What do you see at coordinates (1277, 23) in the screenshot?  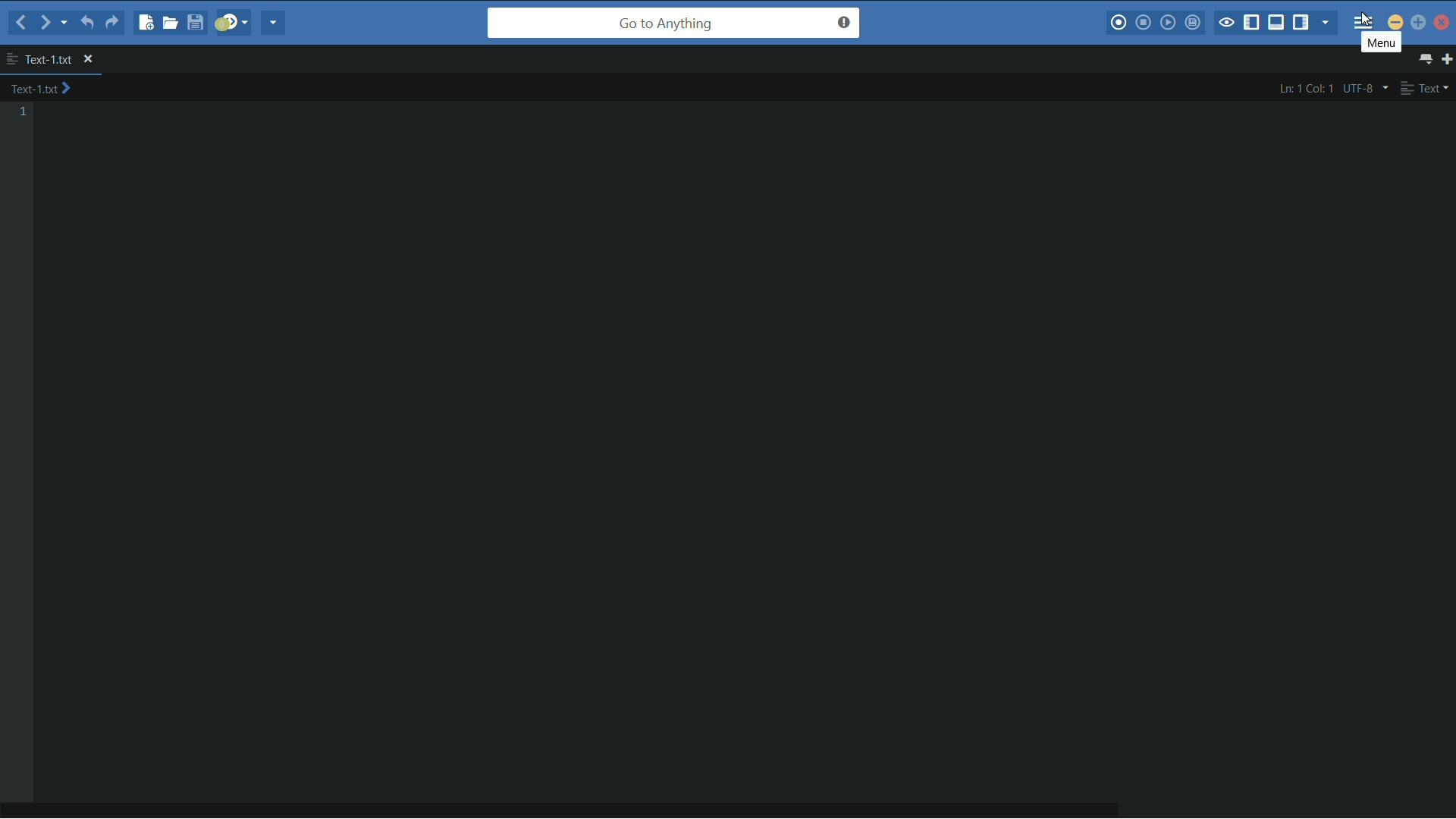 I see `show/hide bottom panel` at bounding box center [1277, 23].